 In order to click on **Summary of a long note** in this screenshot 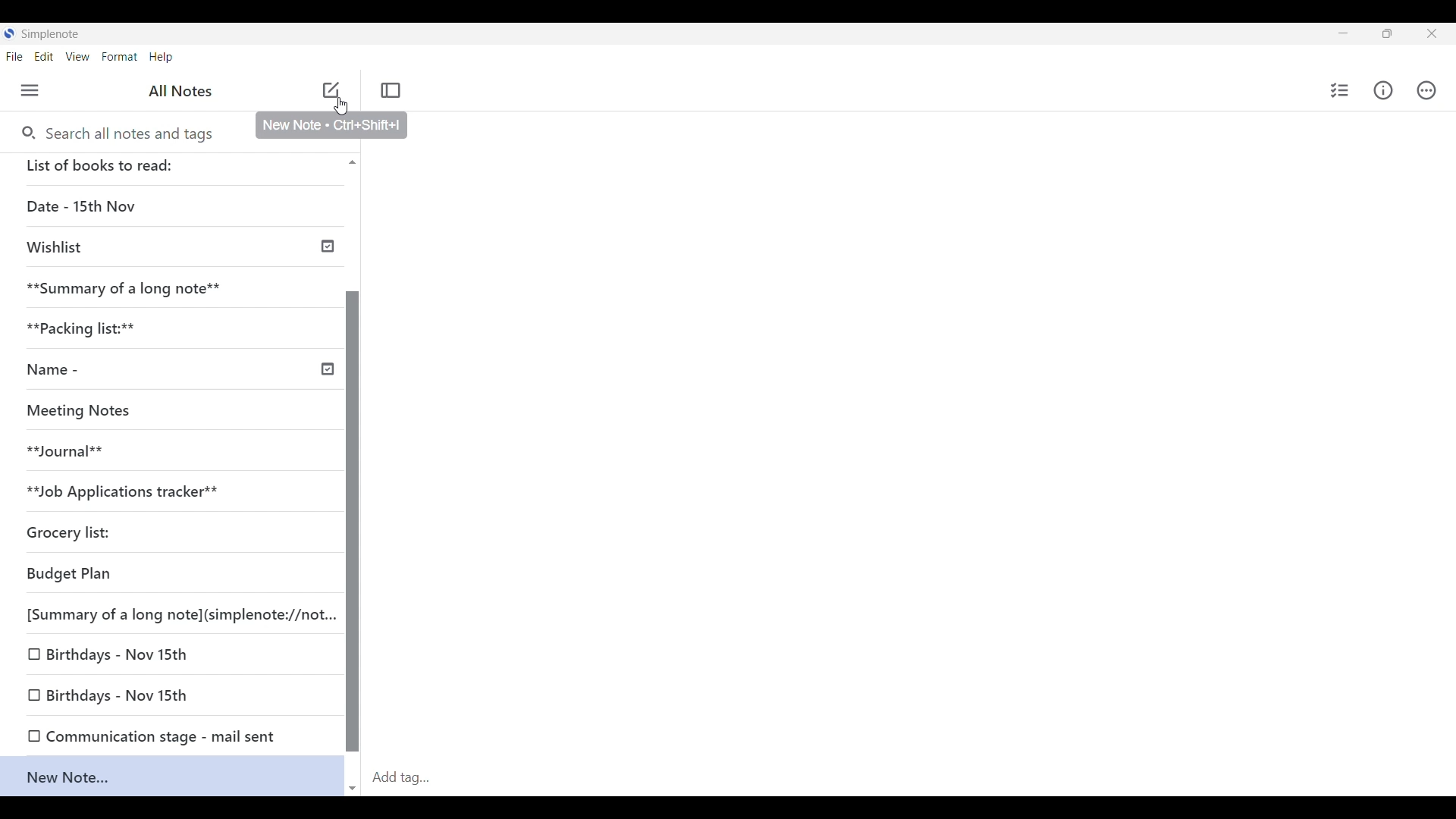, I will do `click(168, 290)`.